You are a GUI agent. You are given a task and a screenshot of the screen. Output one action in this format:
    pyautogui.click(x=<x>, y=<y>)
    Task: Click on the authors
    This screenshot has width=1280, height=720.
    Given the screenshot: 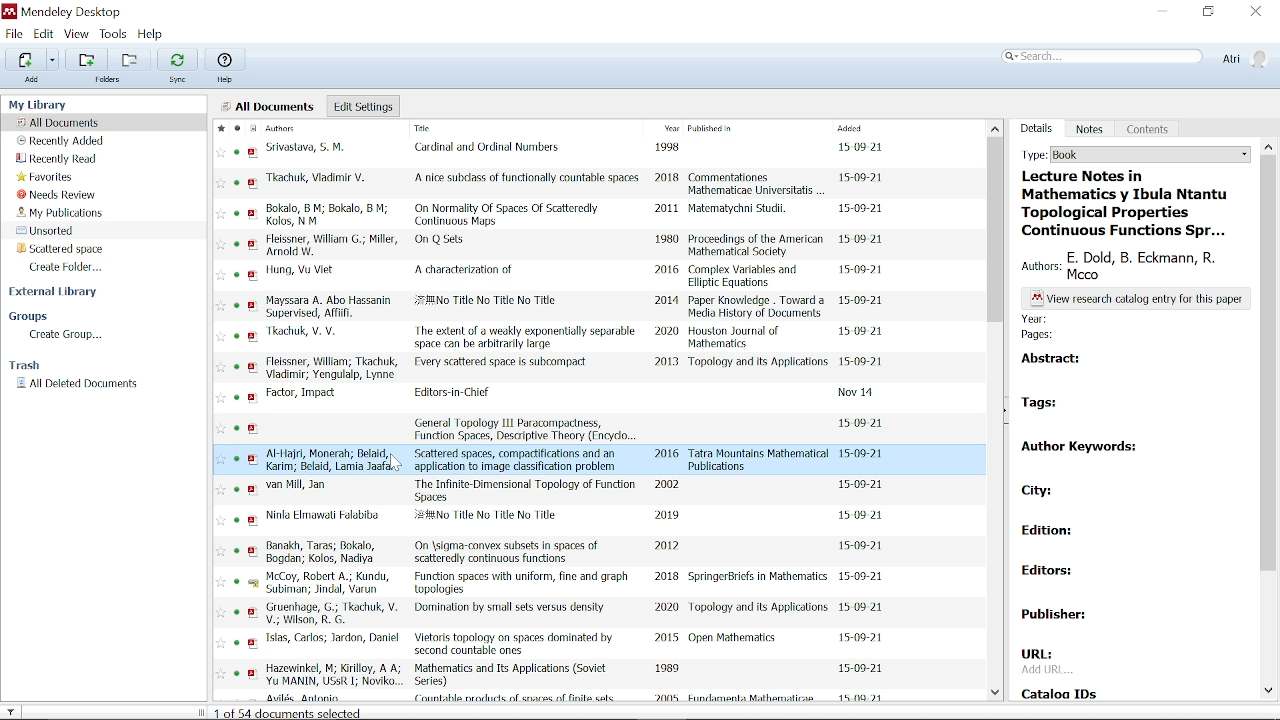 What is the action you would take?
    pyautogui.click(x=309, y=148)
    